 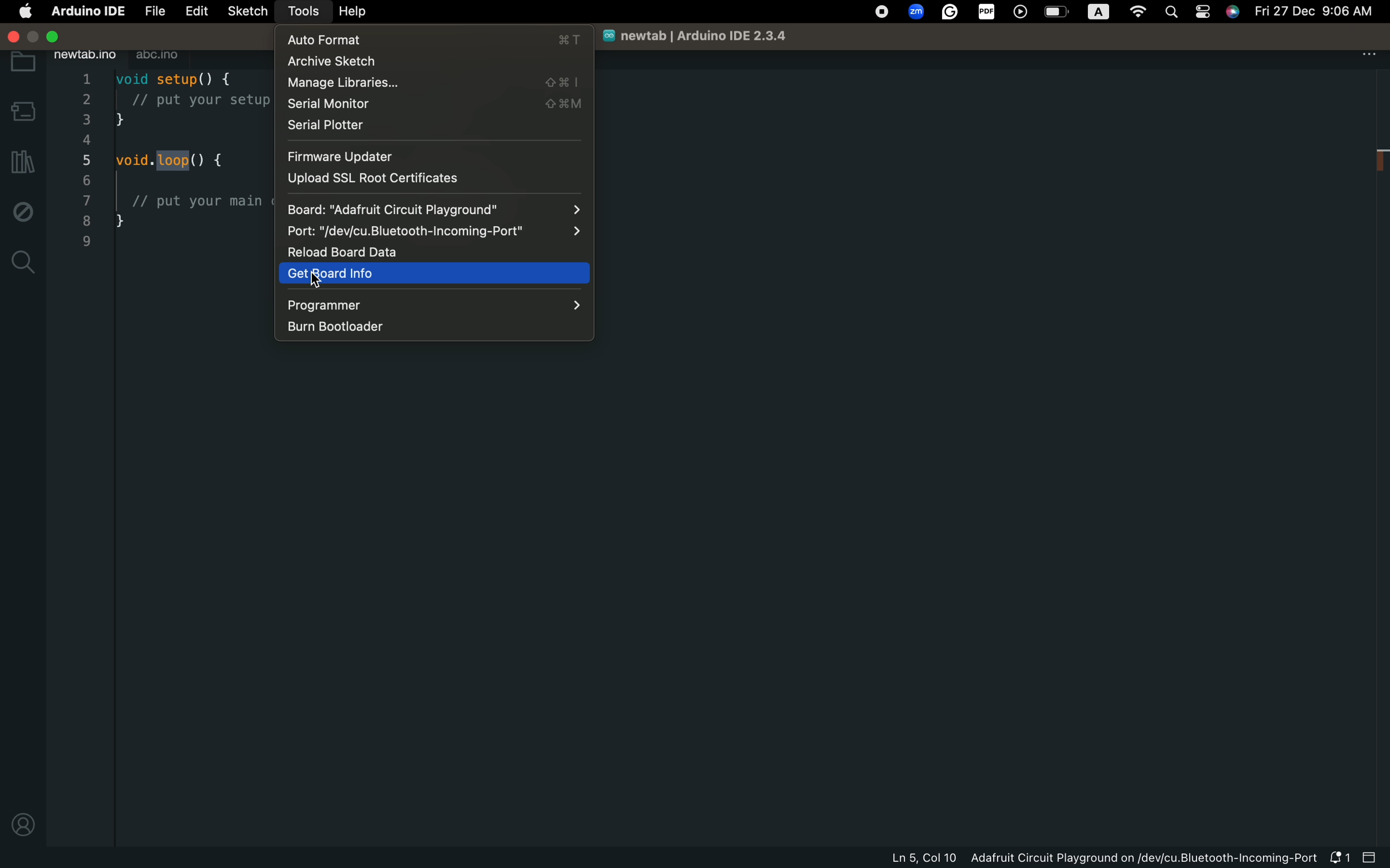 What do you see at coordinates (394, 178) in the screenshot?
I see `upload ssl root certificates` at bounding box center [394, 178].